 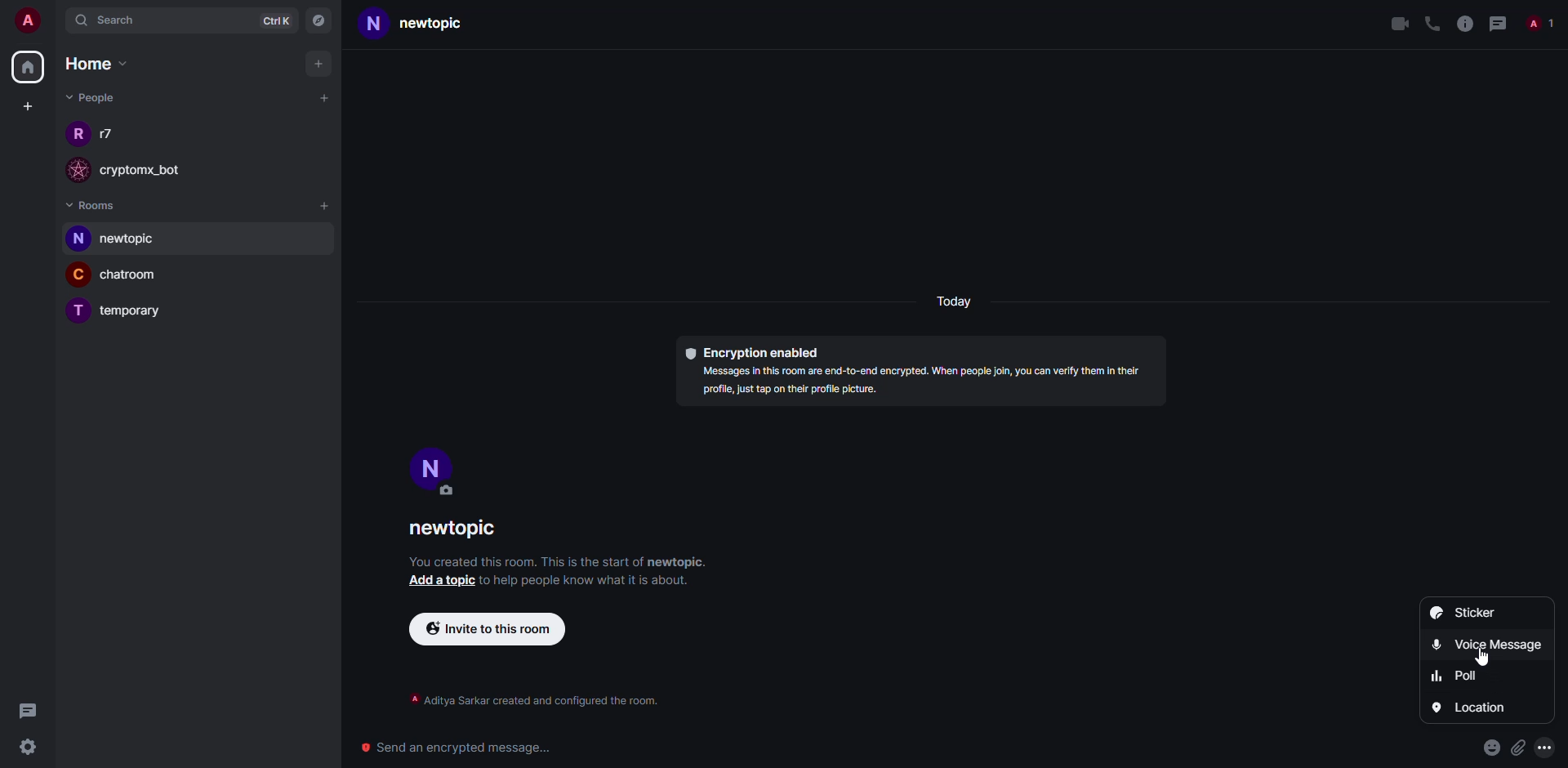 I want to click on encryption enabled, so click(x=755, y=353).